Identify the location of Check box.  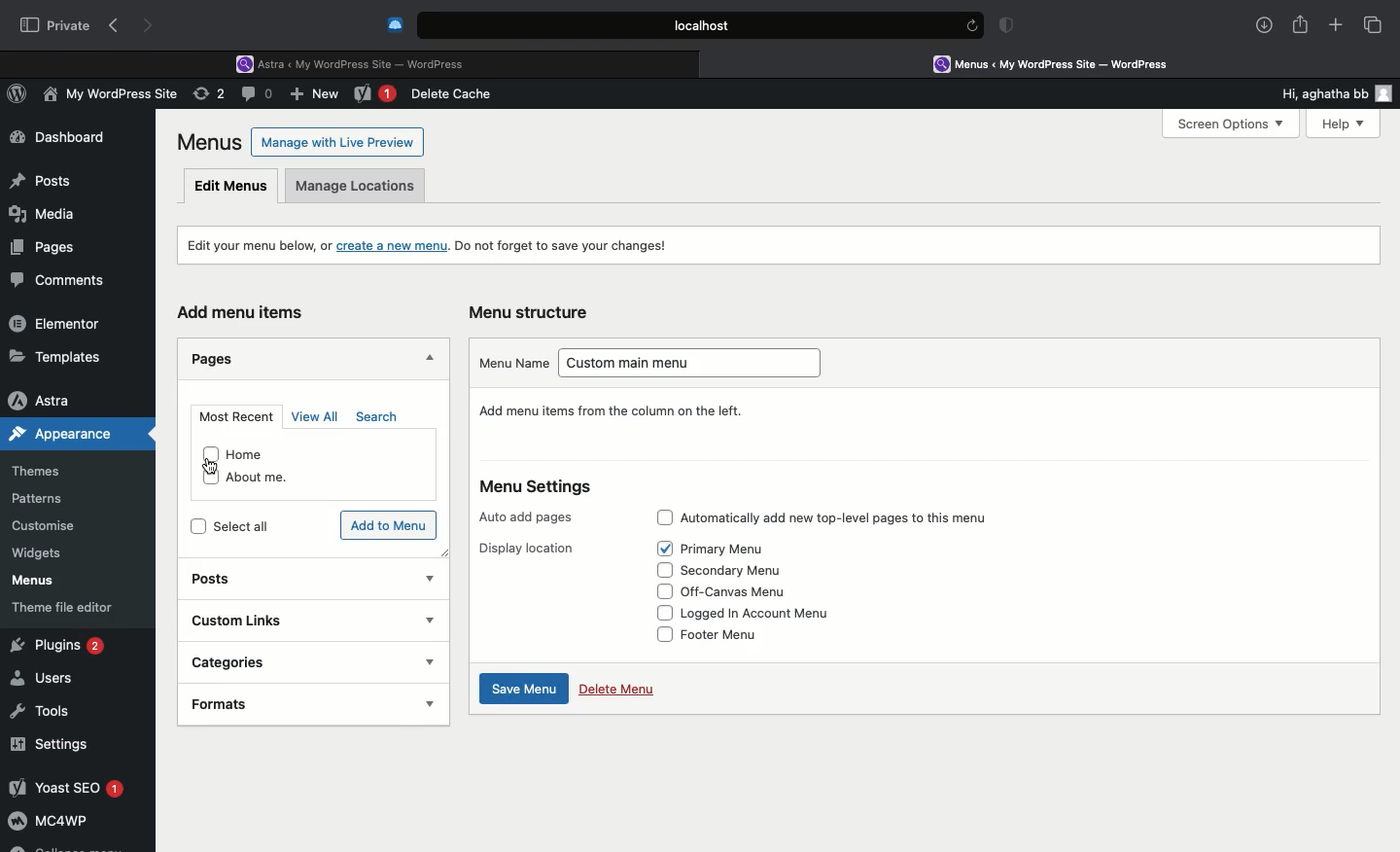
(656, 612).